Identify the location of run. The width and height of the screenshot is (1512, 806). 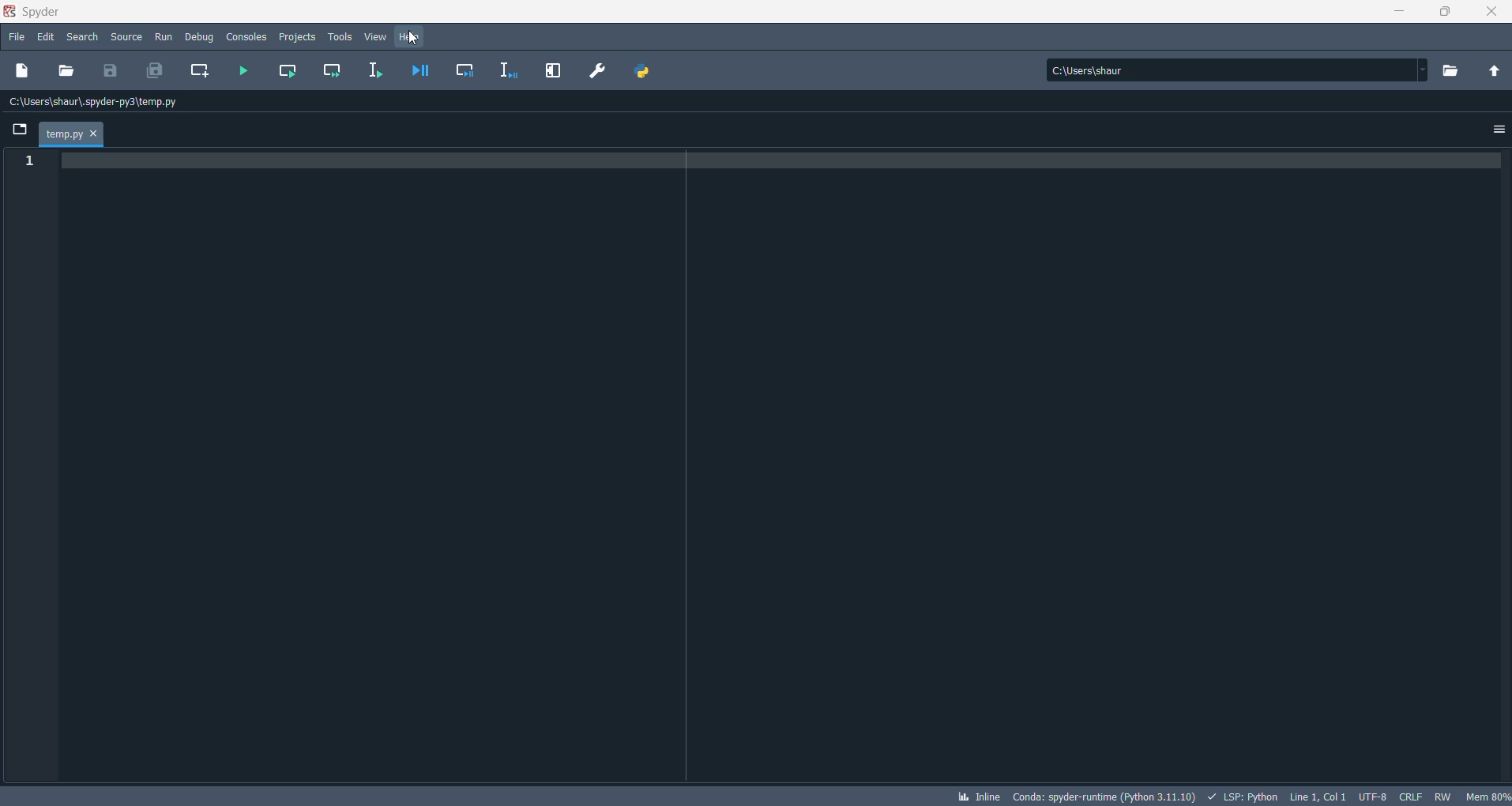
(164, 37).